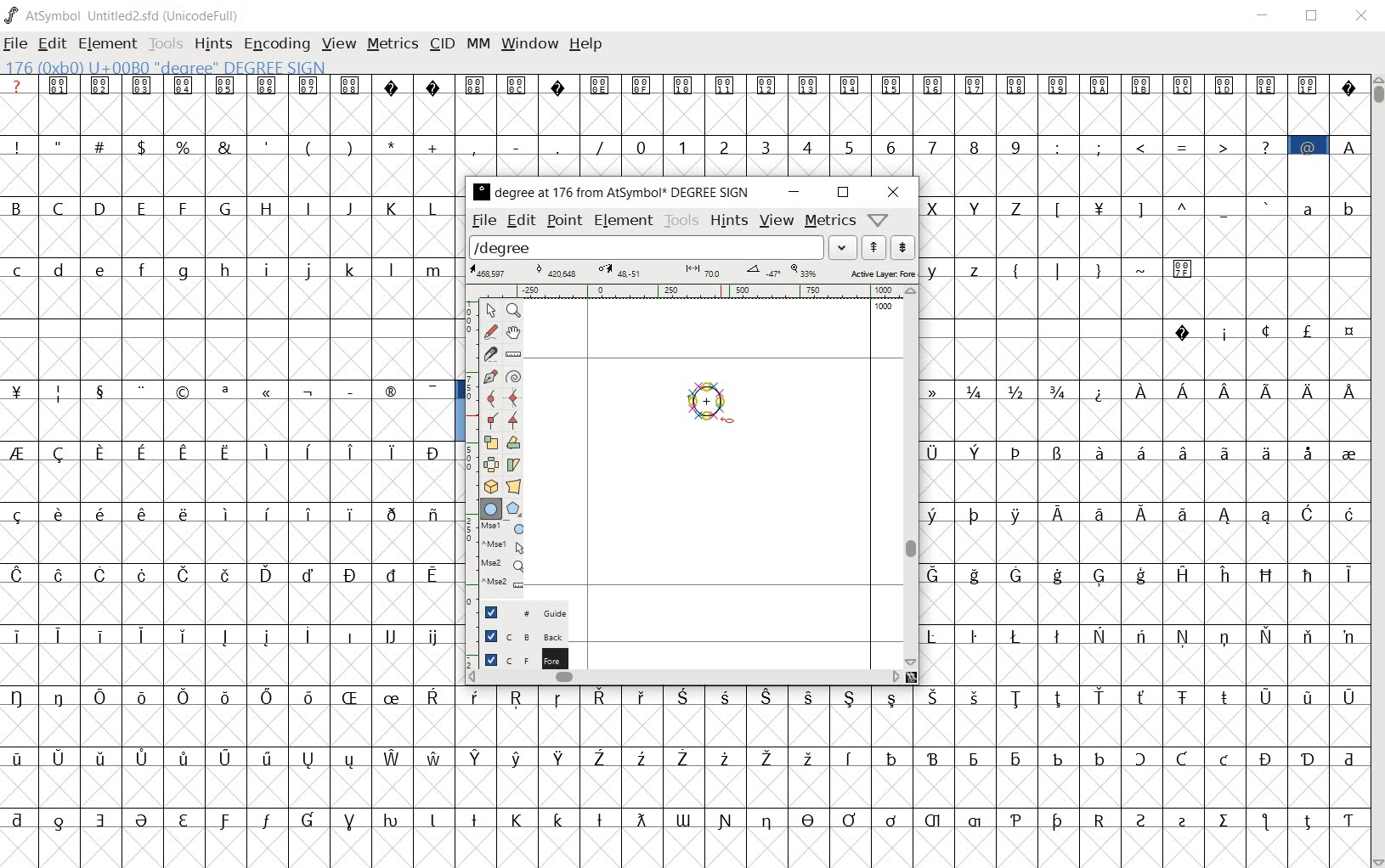 Image resolution: width=1385 pixels, height=868 pixels. What do you see at coordinates (489, 442) in the screenshot?
I see `scale the selection` at bounding box center [489, 442].